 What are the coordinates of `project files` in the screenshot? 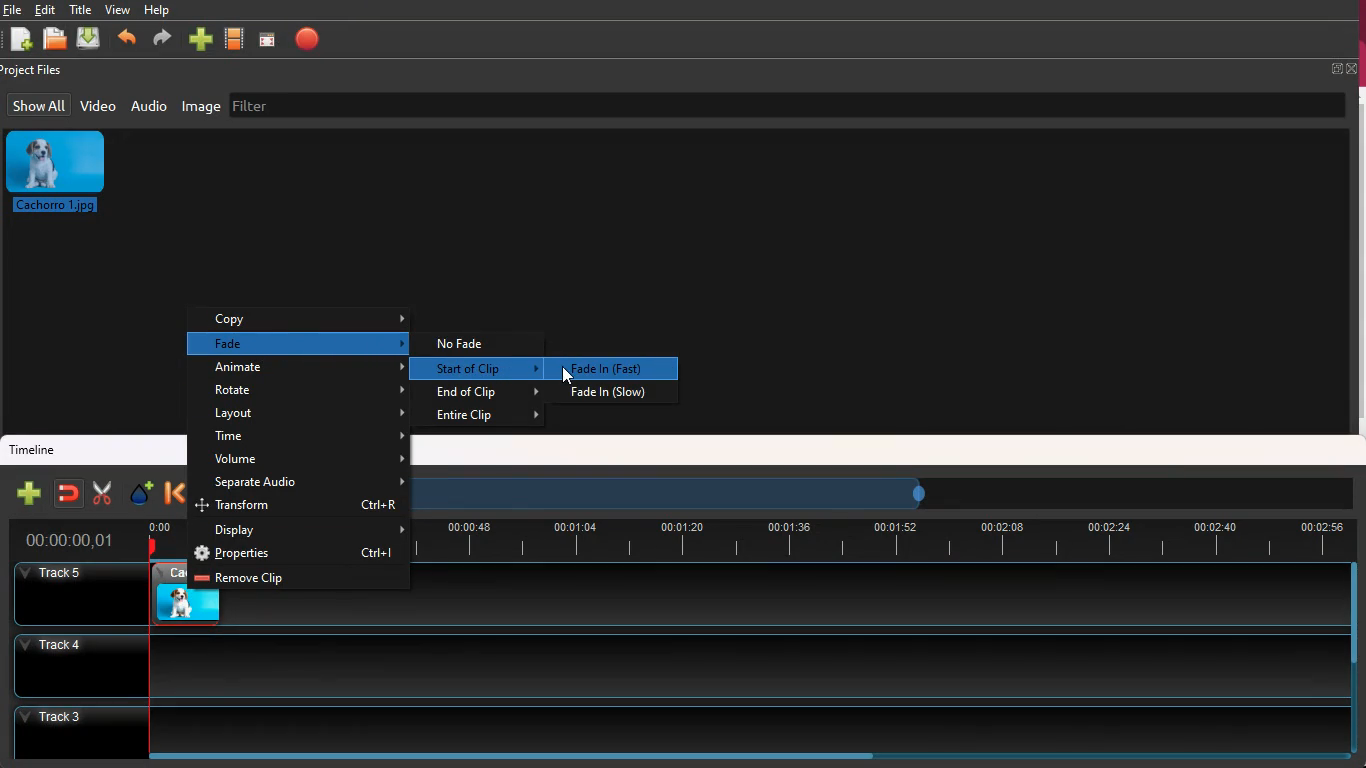 It's located at (40, 70).